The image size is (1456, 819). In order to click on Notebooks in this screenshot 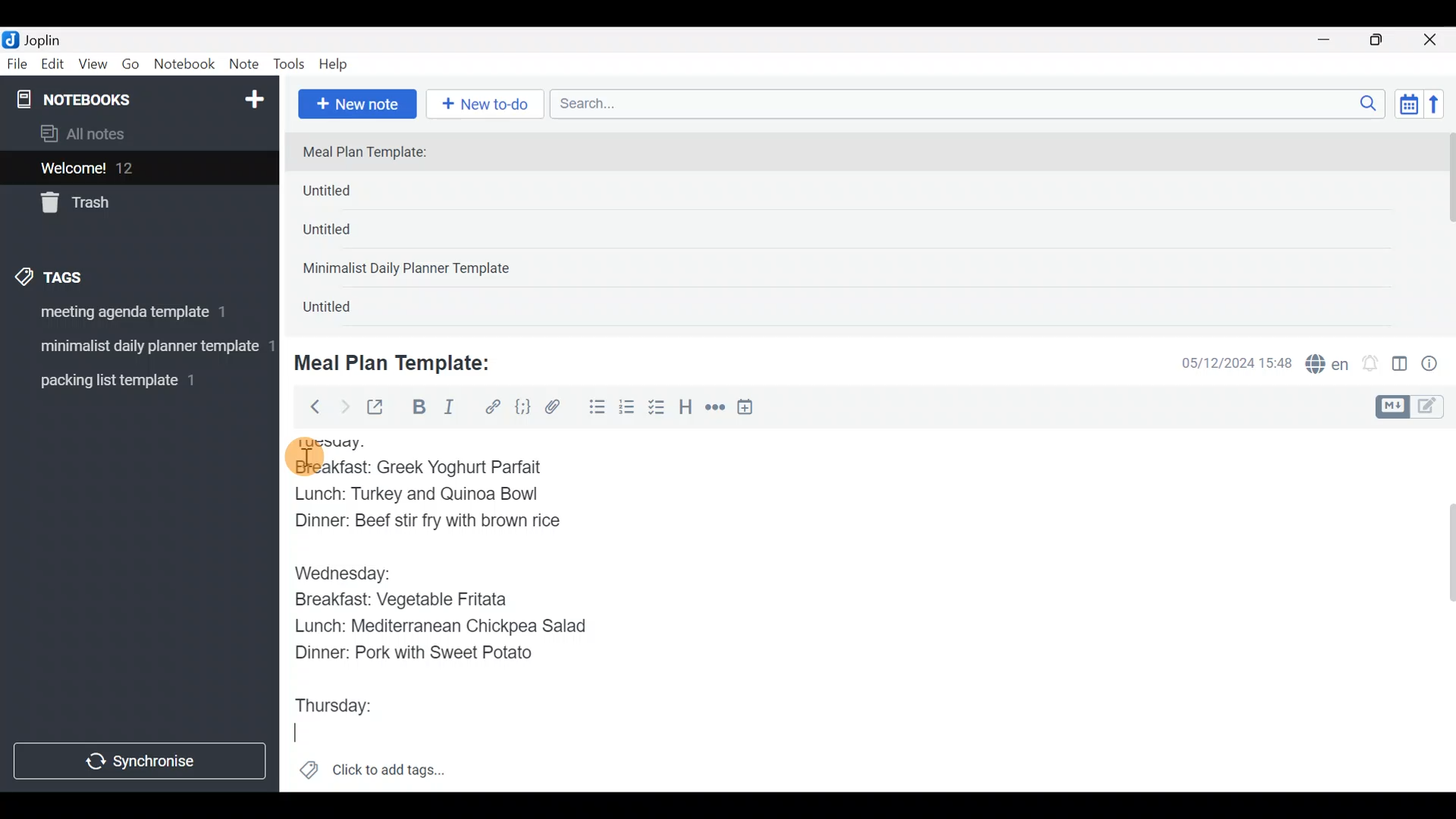, I will do `click(107, 99)`.